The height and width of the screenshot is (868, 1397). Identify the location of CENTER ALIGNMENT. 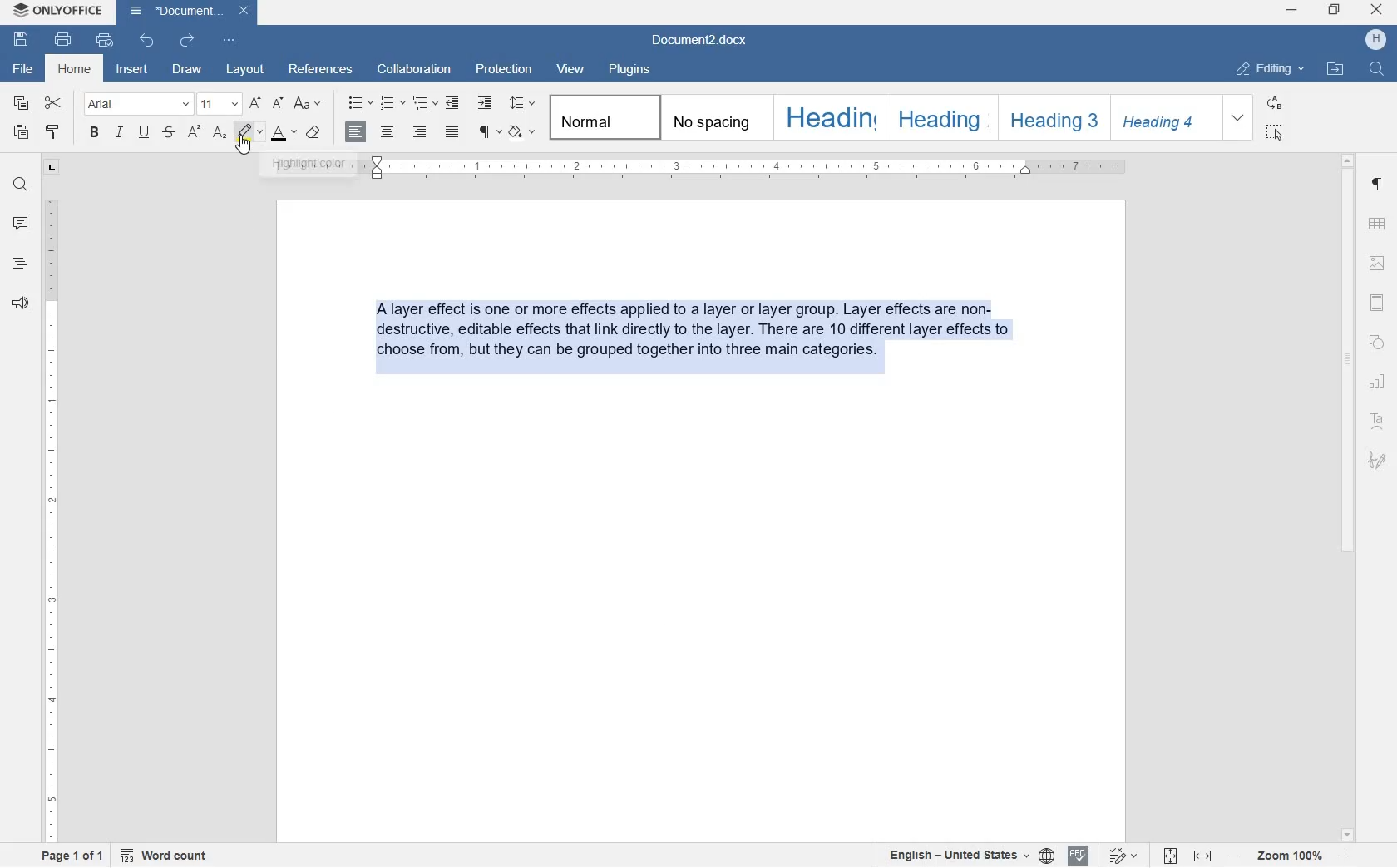
(388, 133).